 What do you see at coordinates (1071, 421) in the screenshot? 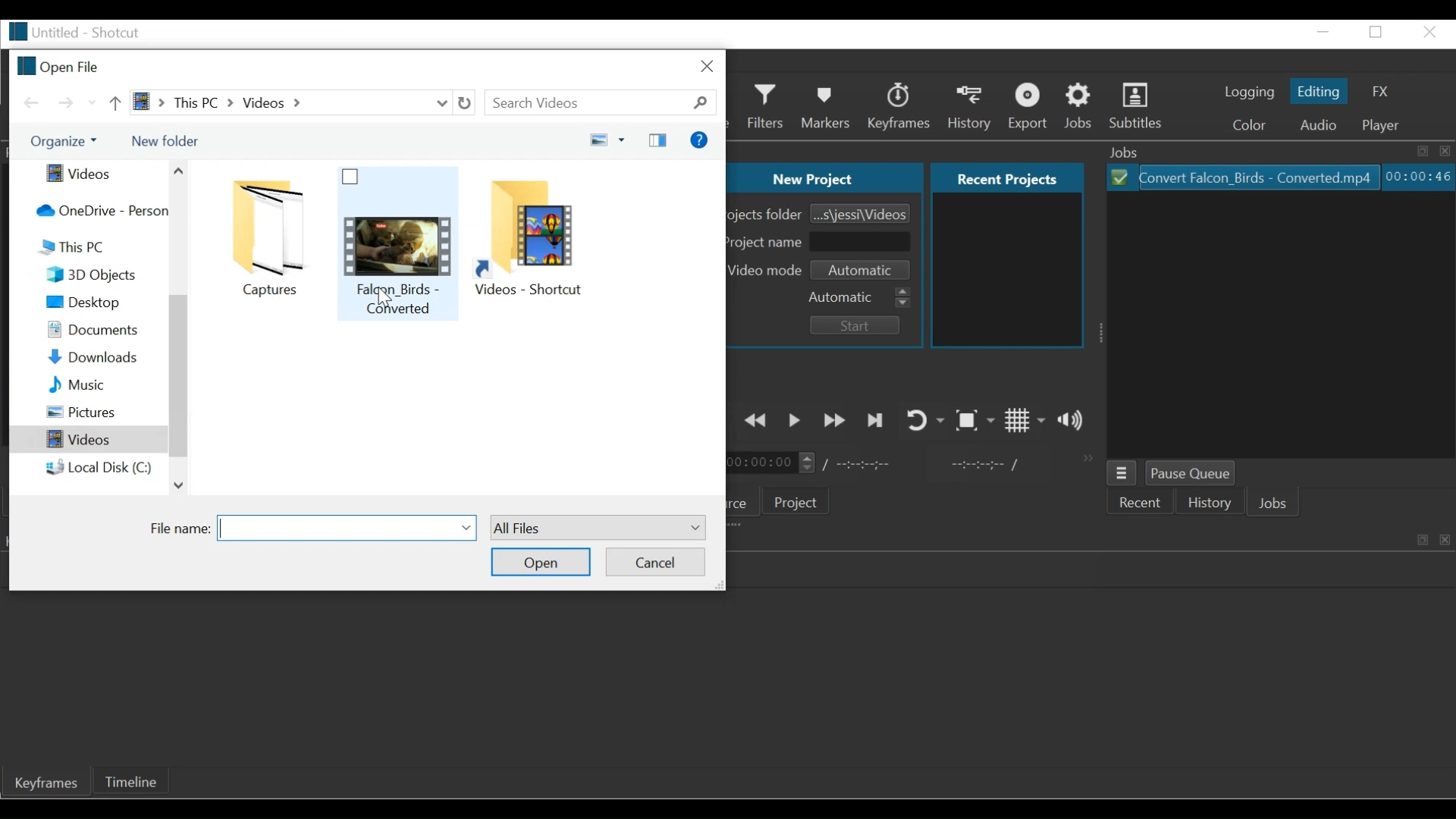
I see `Show the volume control` at bounding box center [1071, 421].